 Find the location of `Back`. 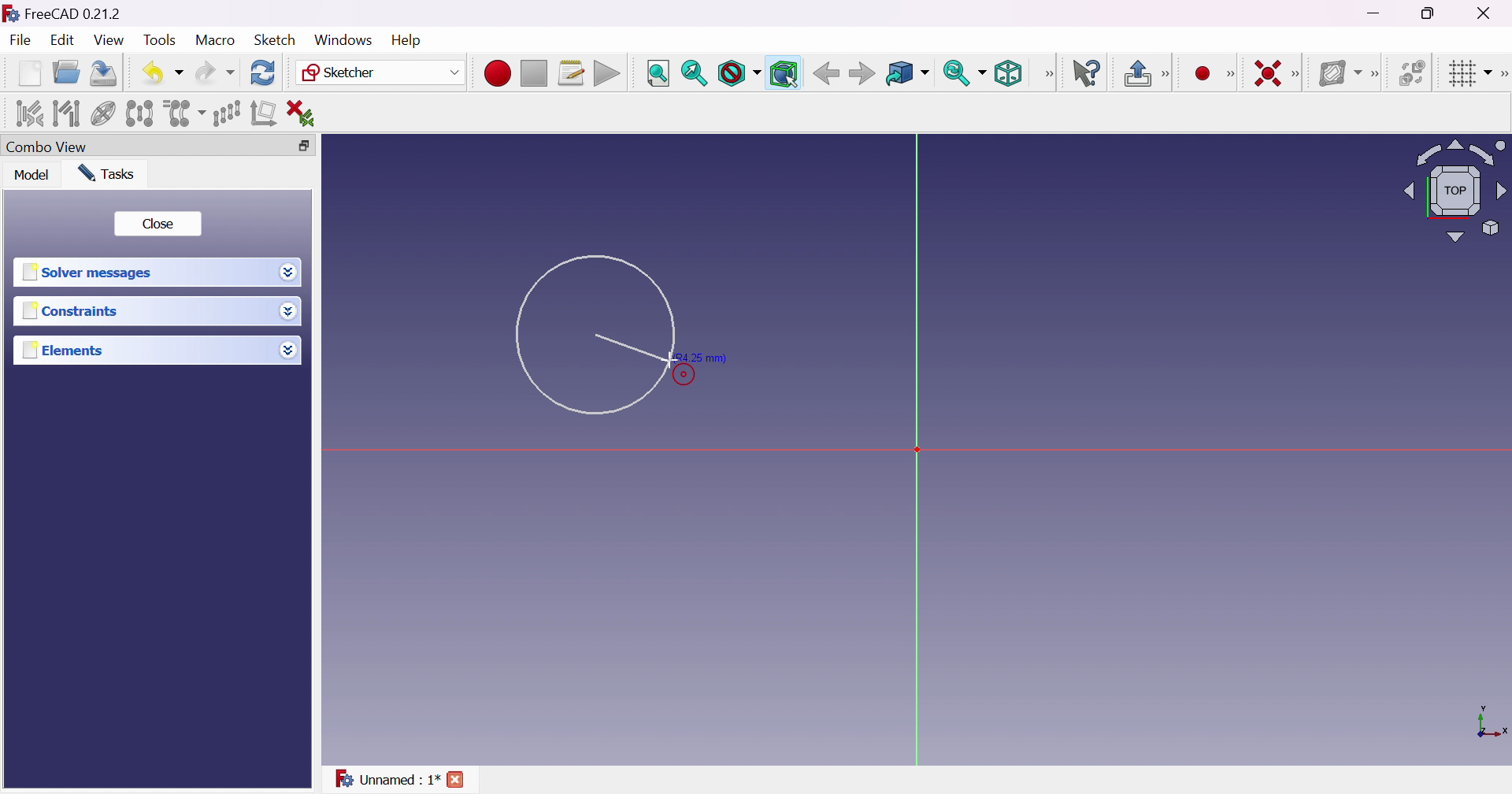

Back is located at coordinates (861, 73).